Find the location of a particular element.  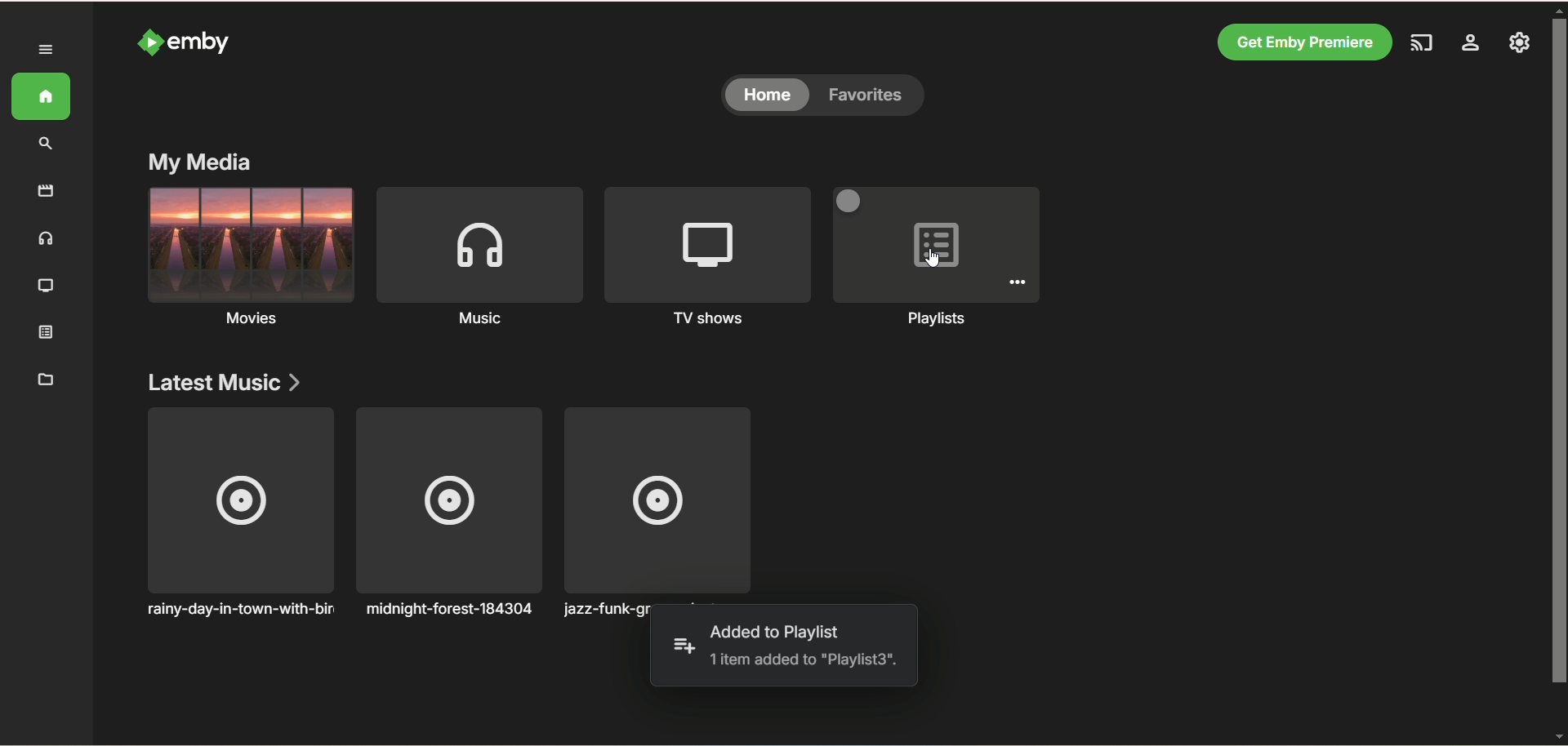

Music album is located at coordinates (238, 513).